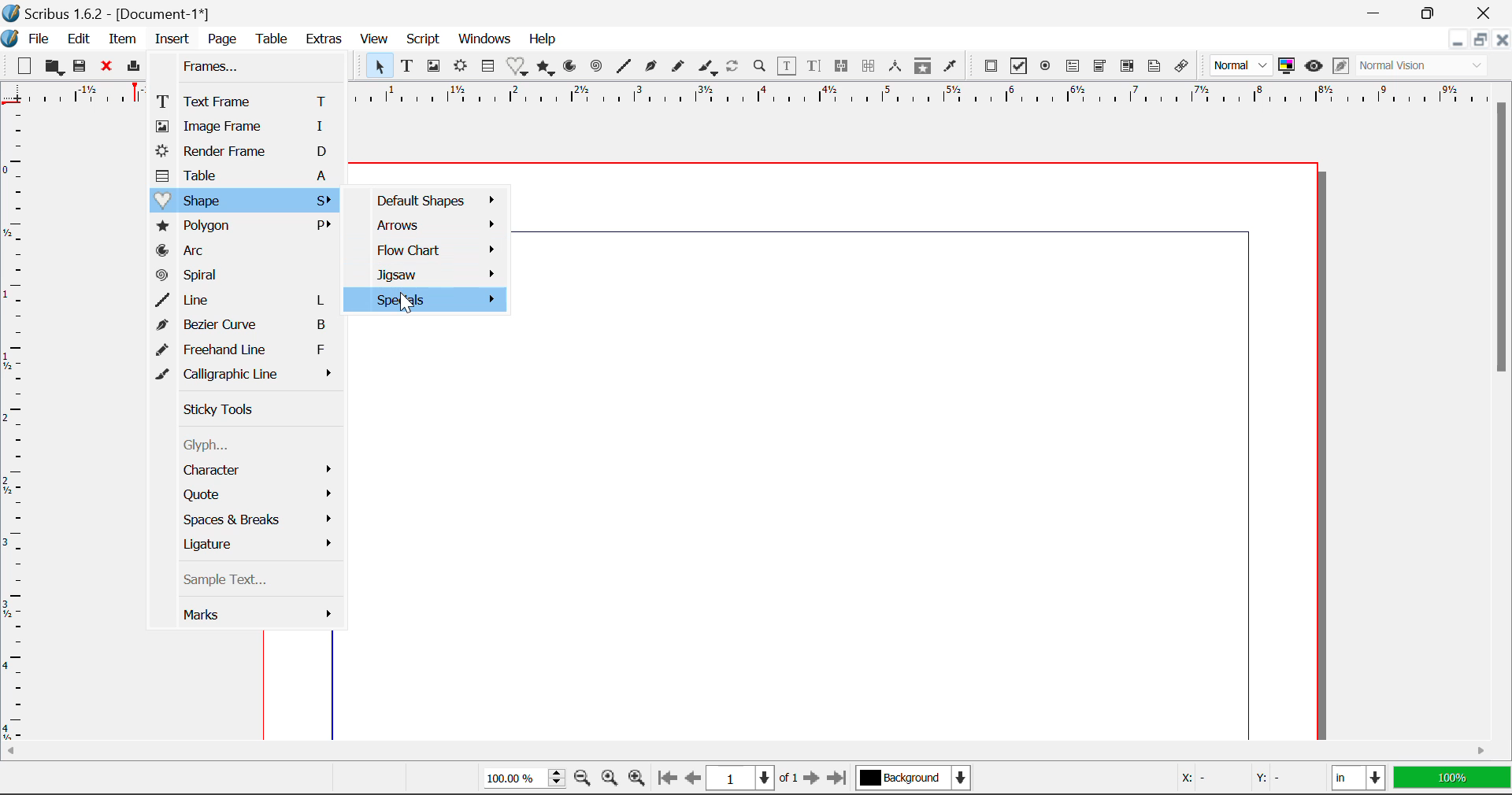 Image resolution: width=1512 pixels, height=795 pixels. I want to click on Glyph, so click(243, 447).